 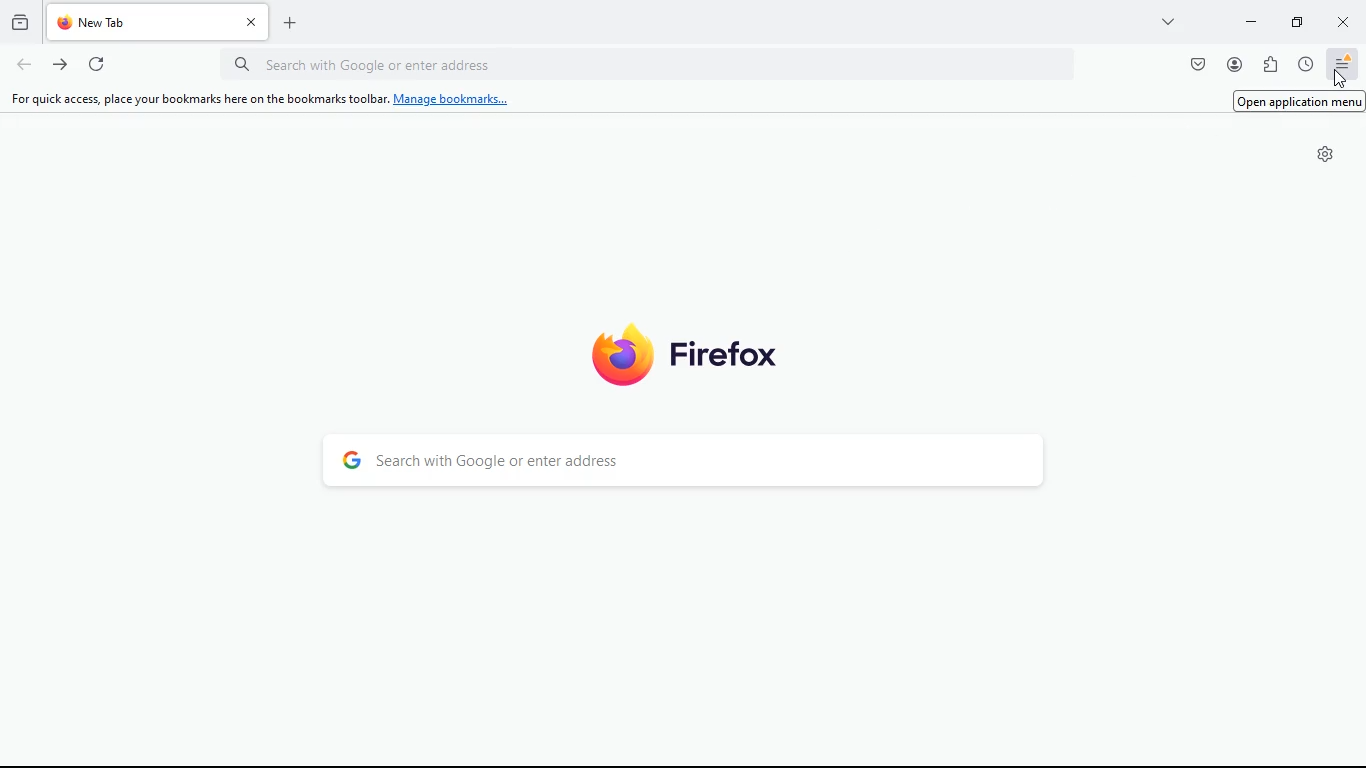 What do you see at coordinates (97, 63) in the screenshot?
I see `refresh` at bounding box center [97, 63].